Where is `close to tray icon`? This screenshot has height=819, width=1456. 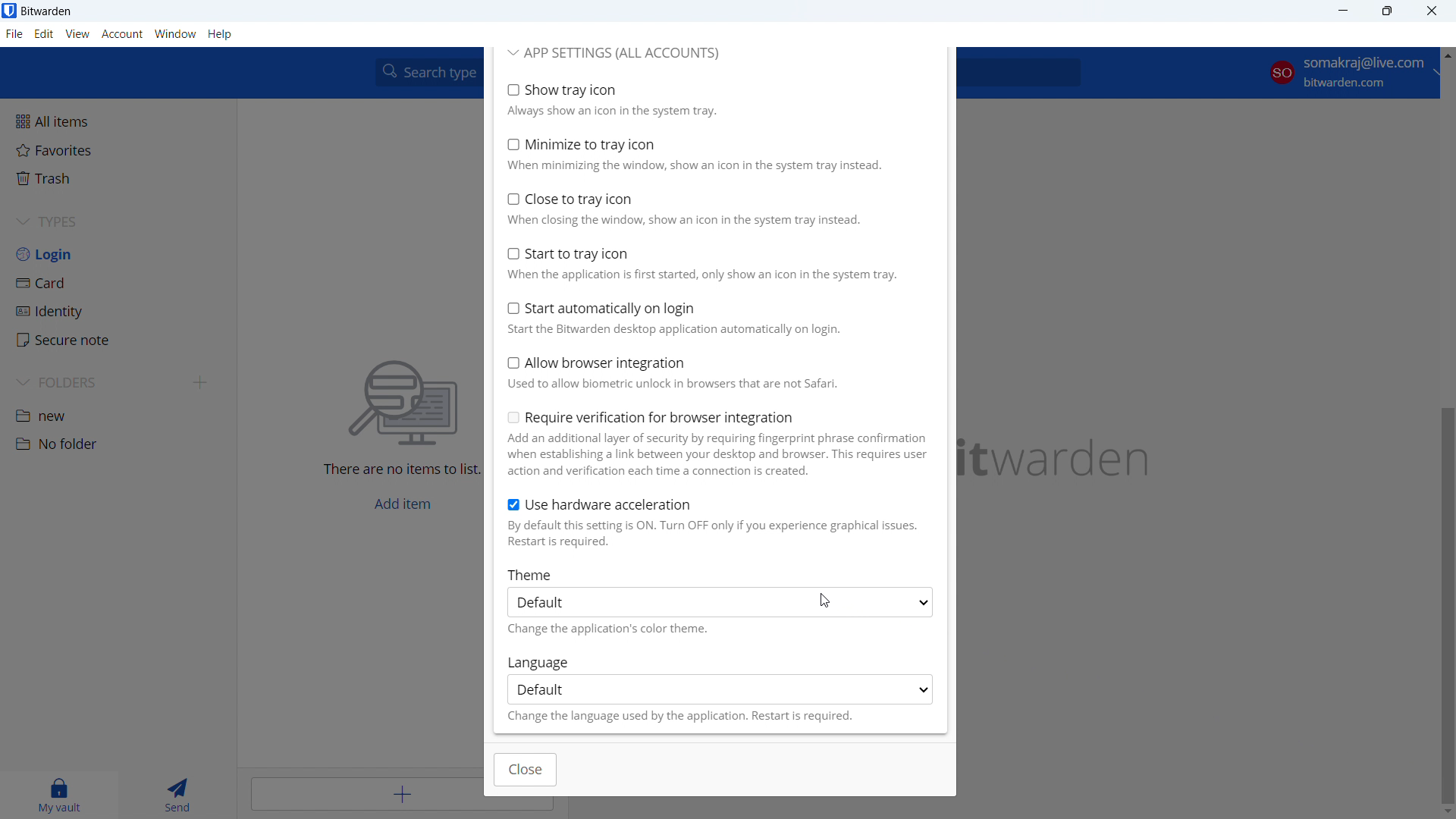 close to tray icon is located at coordinates (714, 209).